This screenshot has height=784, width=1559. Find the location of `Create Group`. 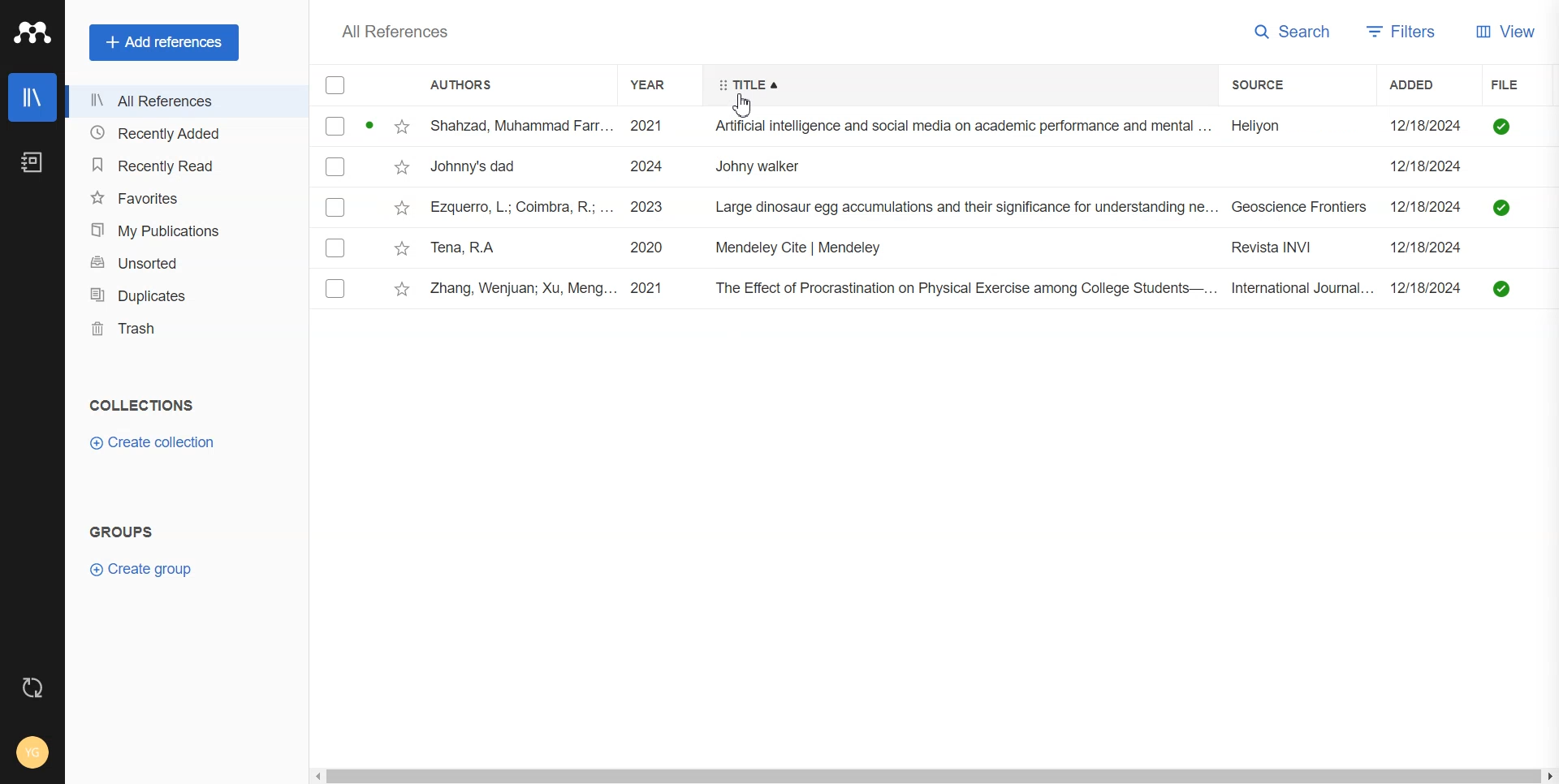

Create Group is located at coordinates (140, 568).